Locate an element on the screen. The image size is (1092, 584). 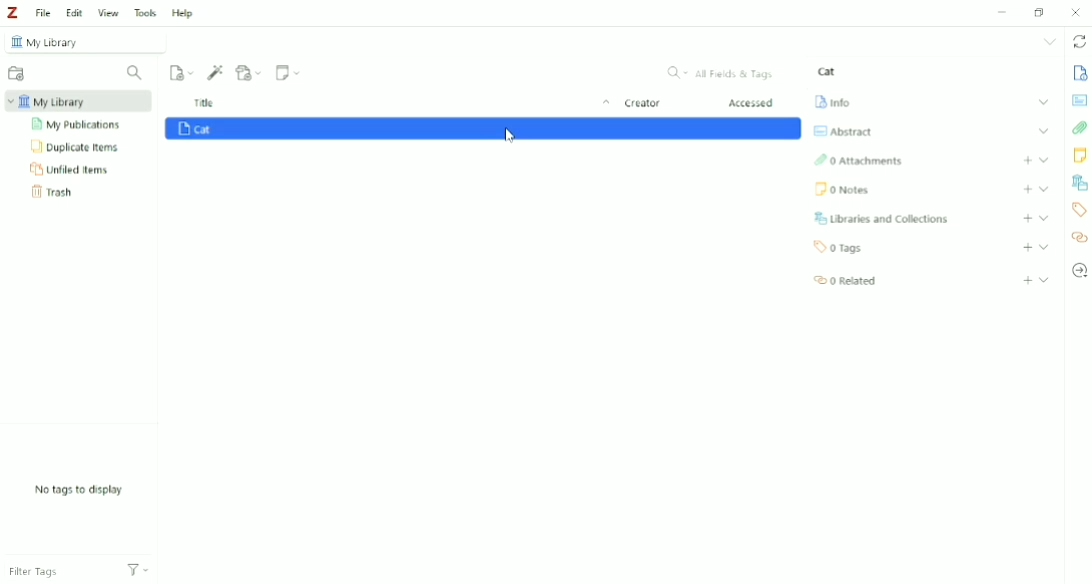
Edit is located at coordinates (74, 13).